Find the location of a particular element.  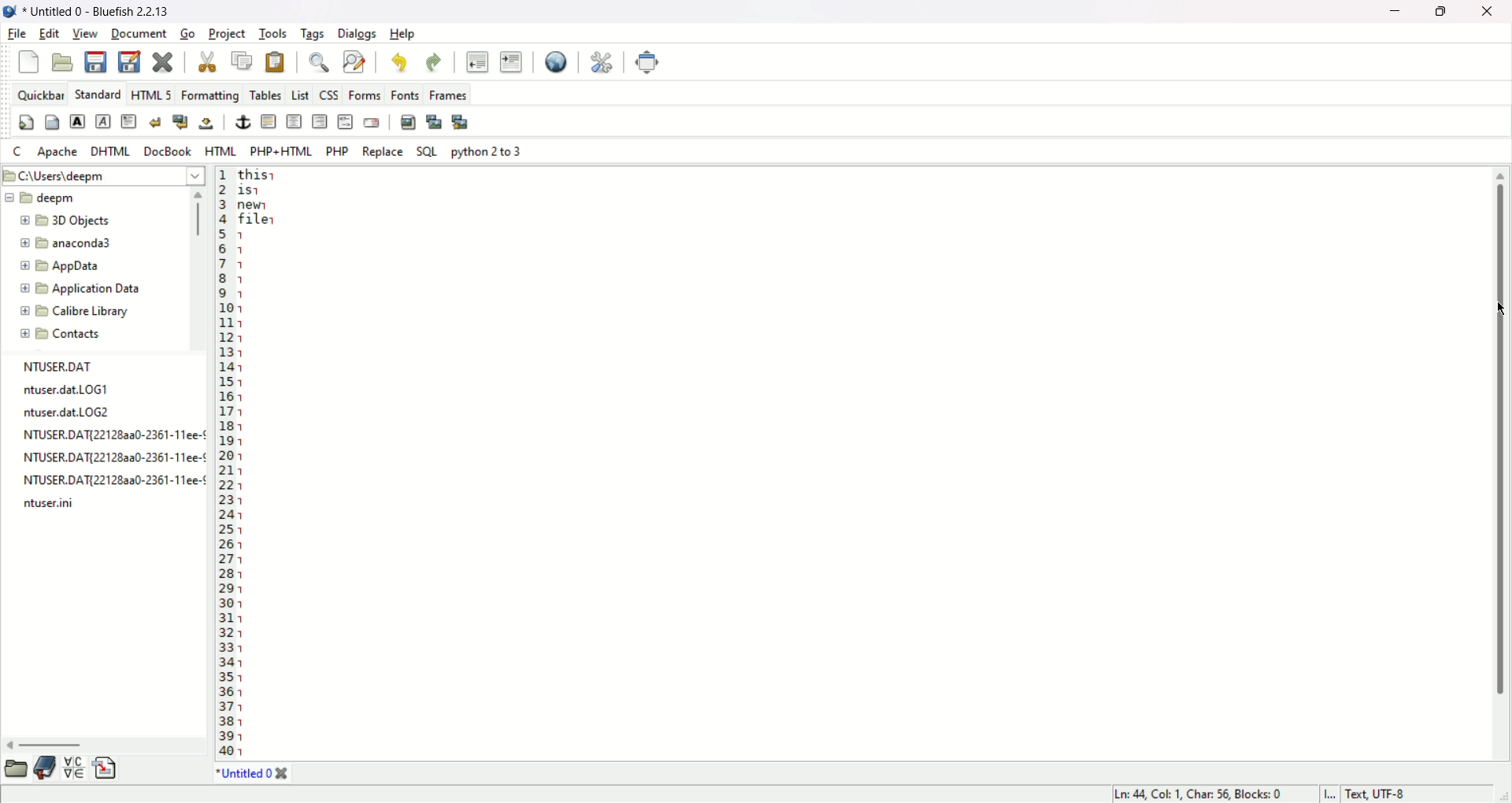

Contacts is located at coordinates (72, 334).